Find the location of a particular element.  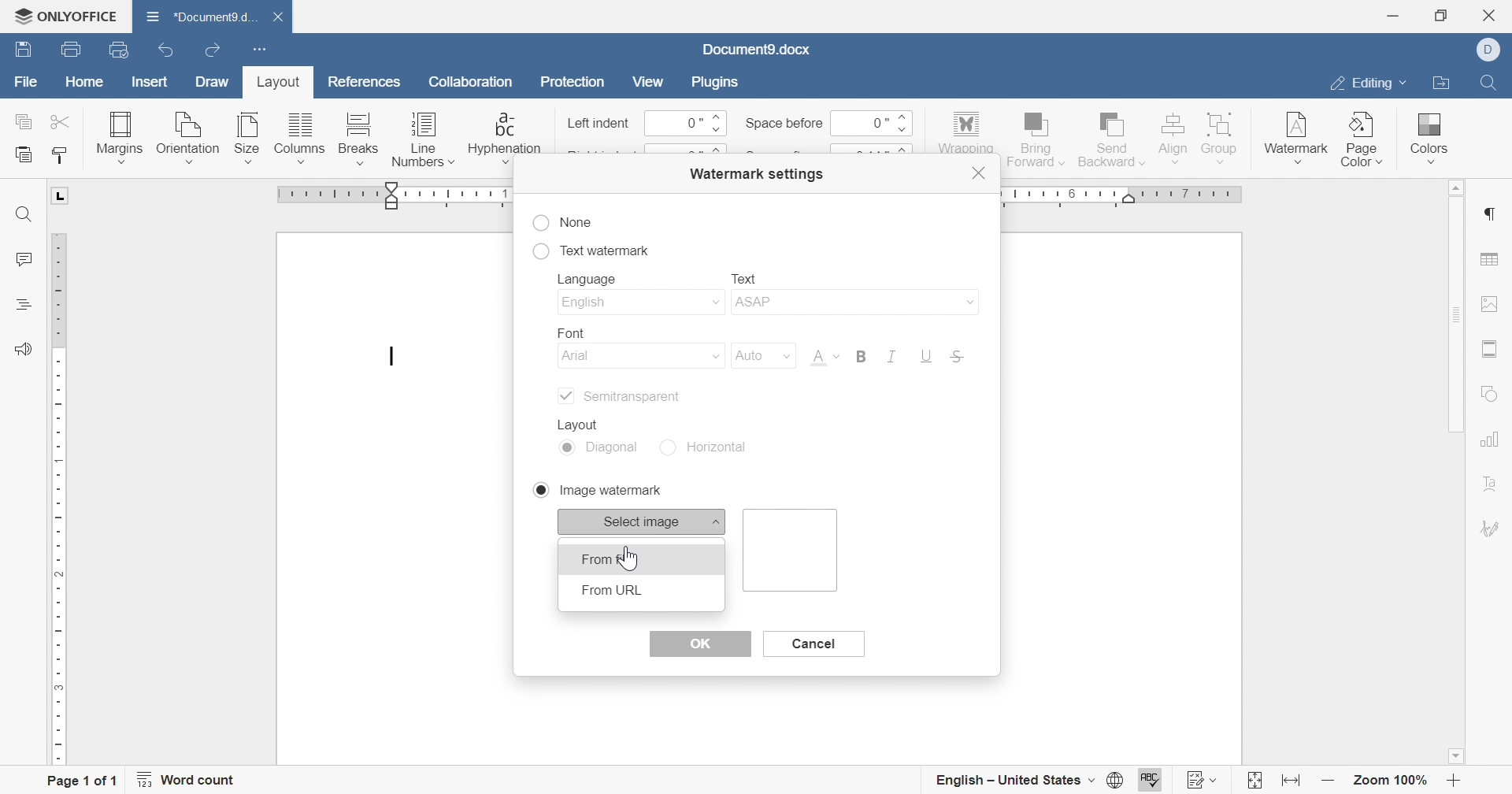

quick print is located at coordinates (126, 51).